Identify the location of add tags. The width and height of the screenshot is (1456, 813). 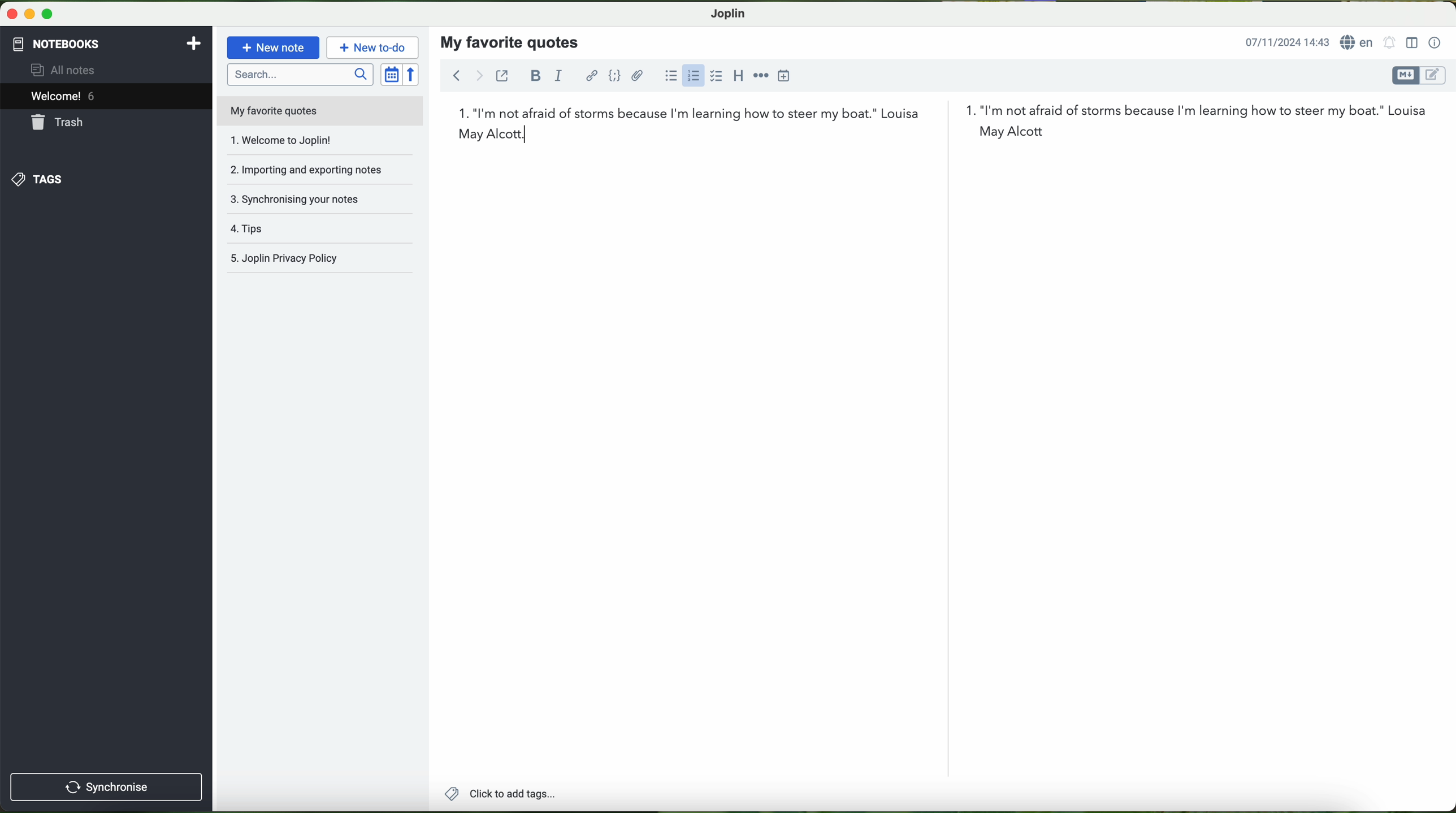
(500, 795).